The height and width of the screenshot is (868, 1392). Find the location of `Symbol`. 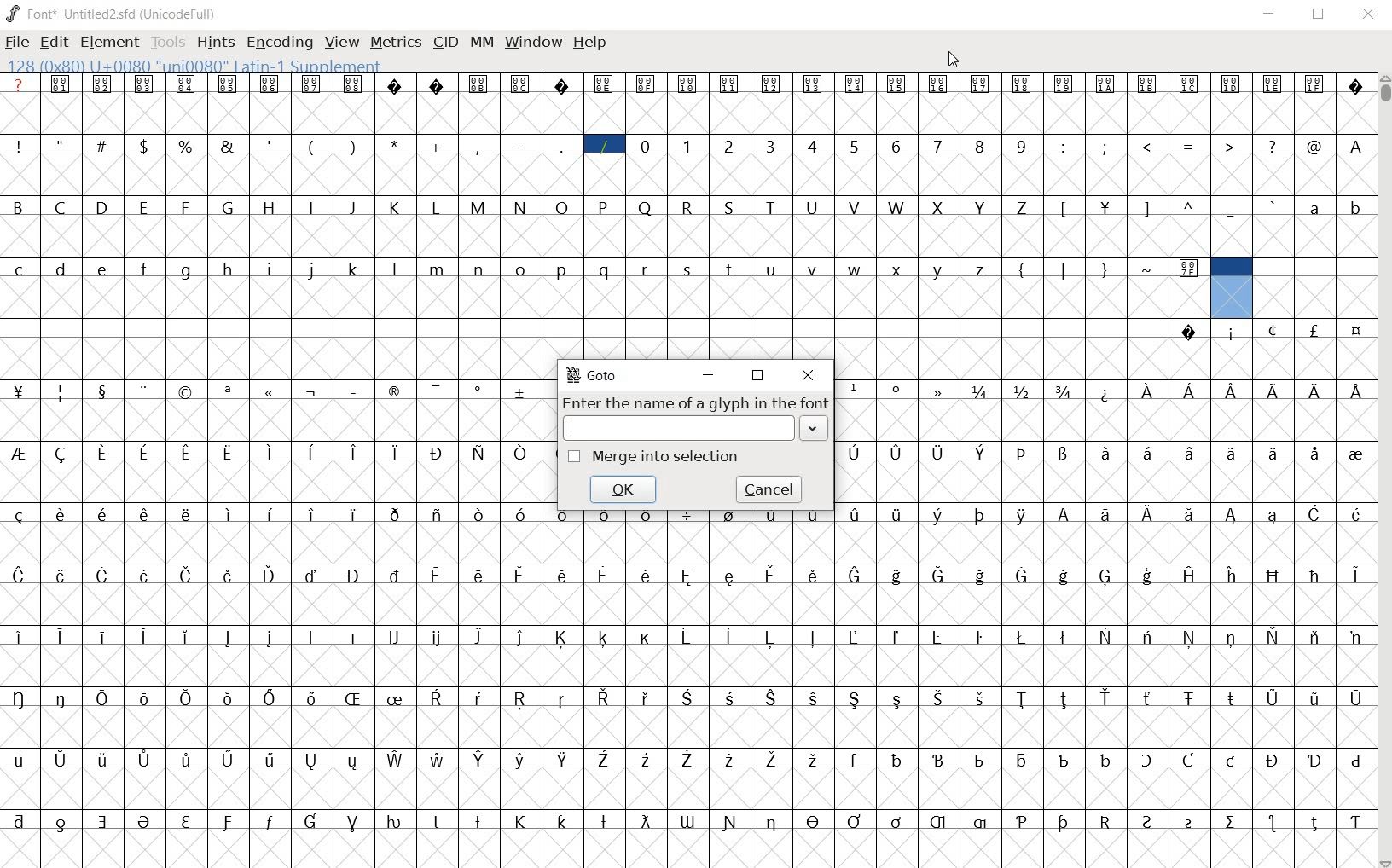

Symbol is located at coordinates (771, 574).